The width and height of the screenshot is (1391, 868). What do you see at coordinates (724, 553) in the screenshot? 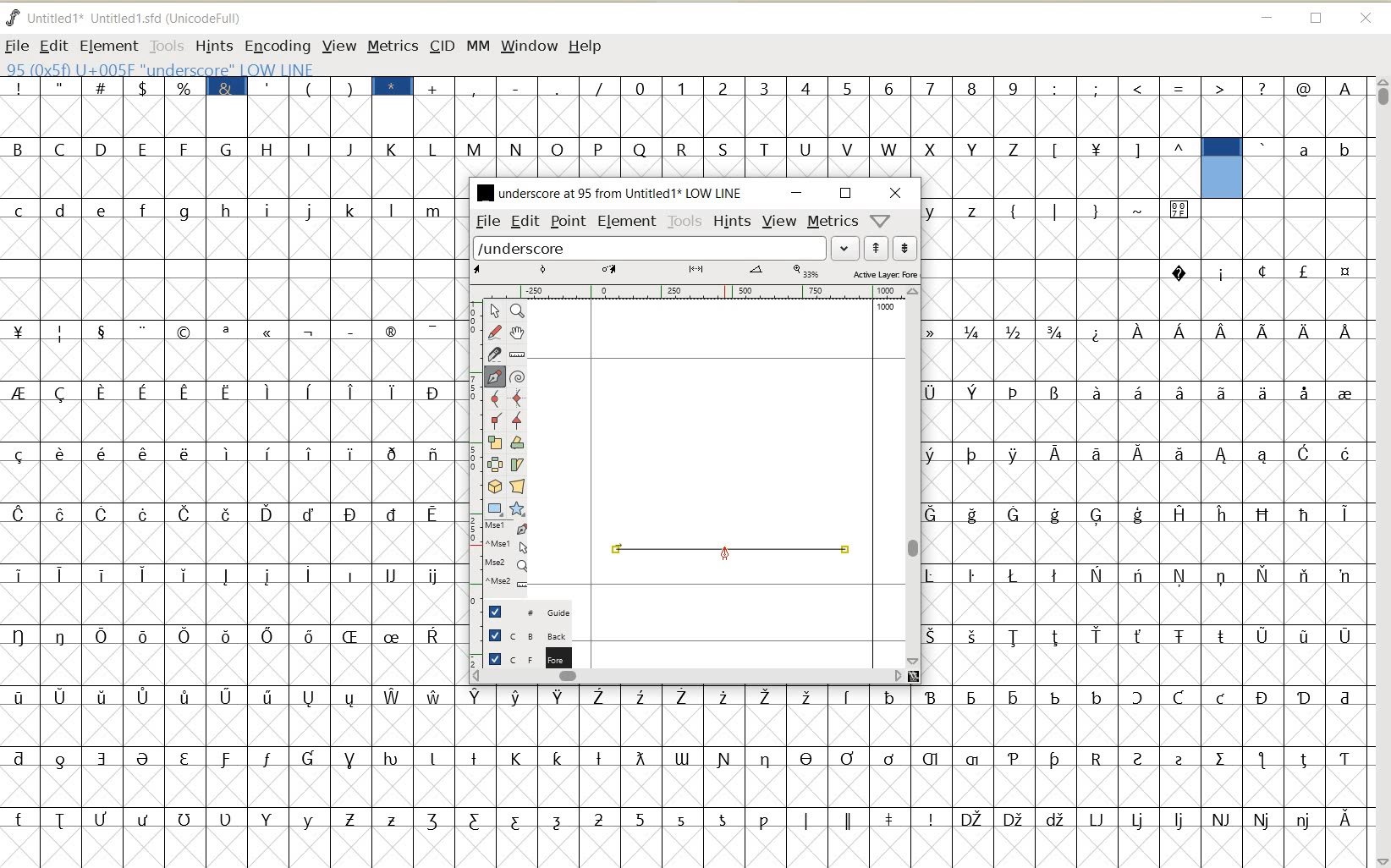
I see `add point tool/CURSOR POSITION` at bounding box center [724, 553].